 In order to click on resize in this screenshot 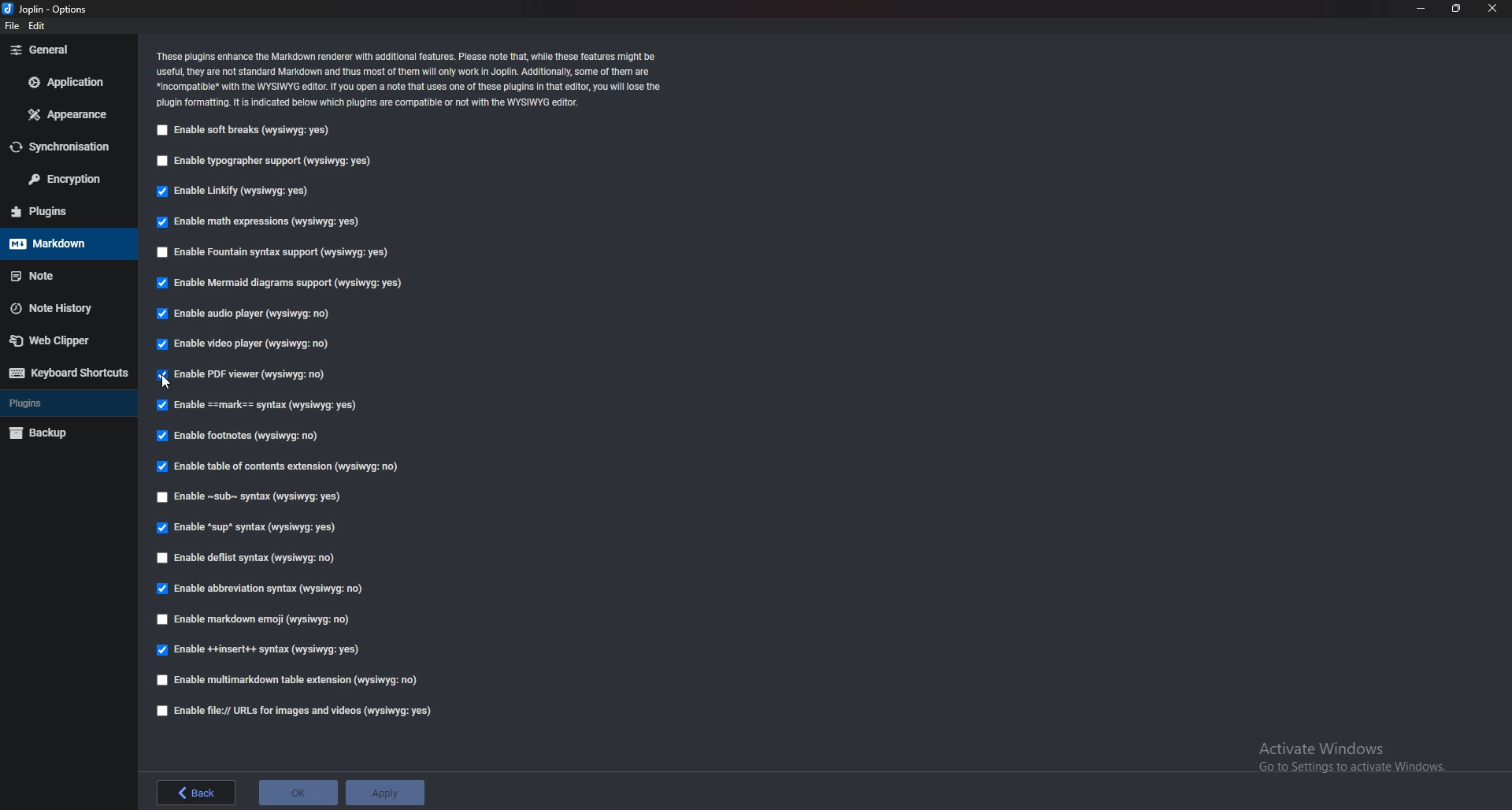, I will do `click(1456, 9)`.